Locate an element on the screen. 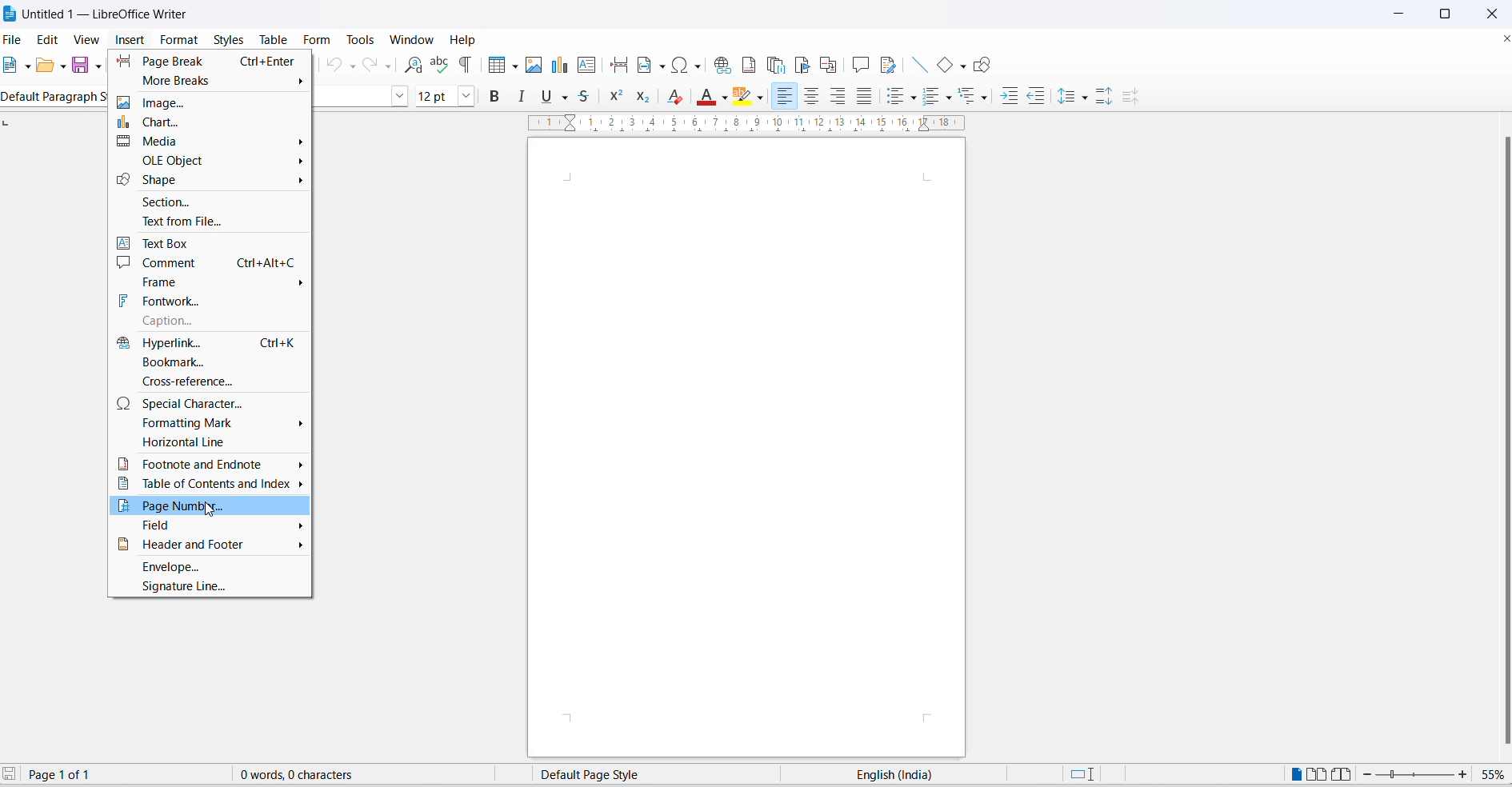 This screenshot has width=1512, height=787. clear direct formatting is located at coordinates (678, 97).